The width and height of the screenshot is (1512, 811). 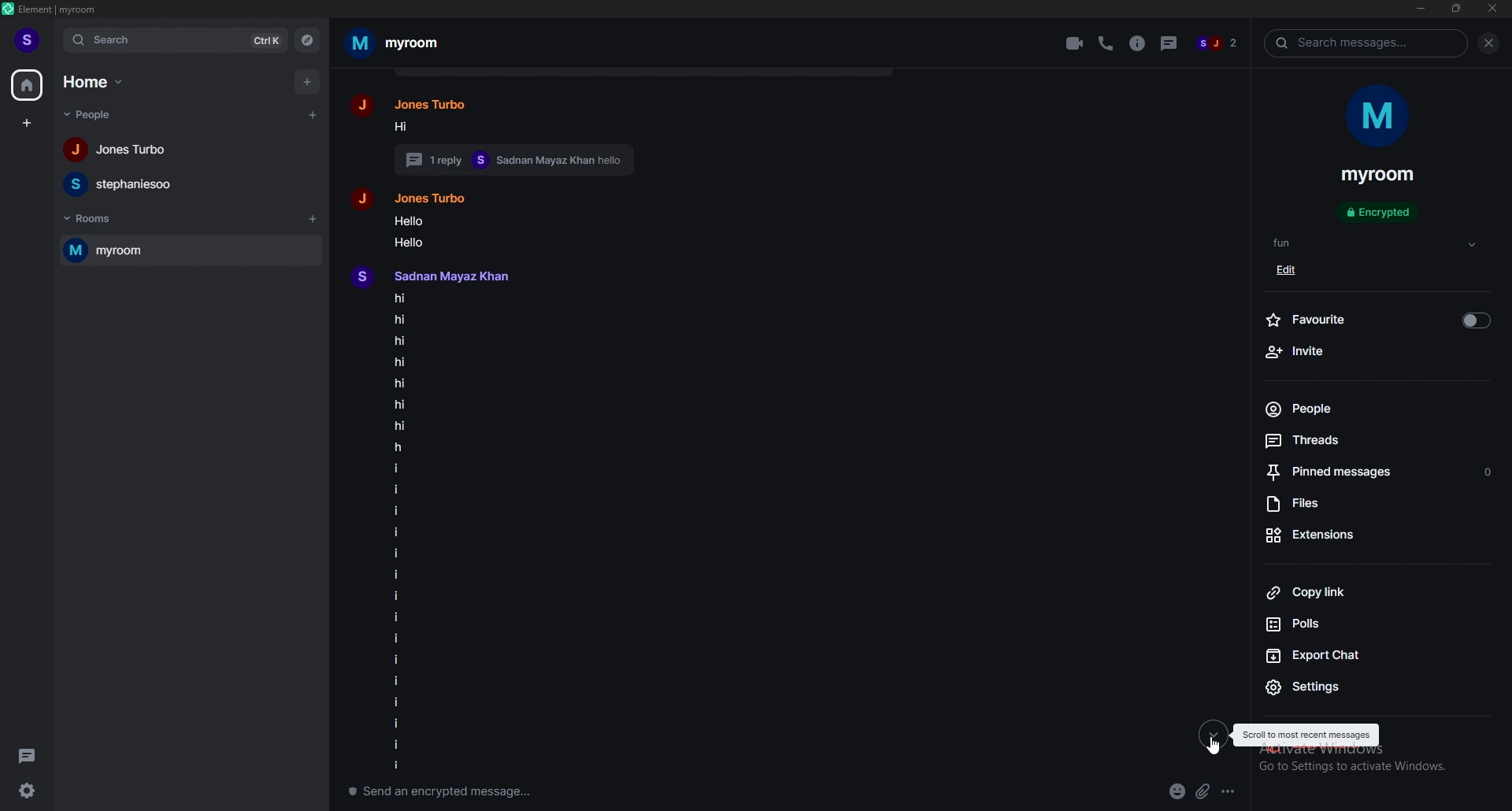 What do you see at coordinates (176, 41) in the screenshot?
I see `search` at bounding box center [176, 41].